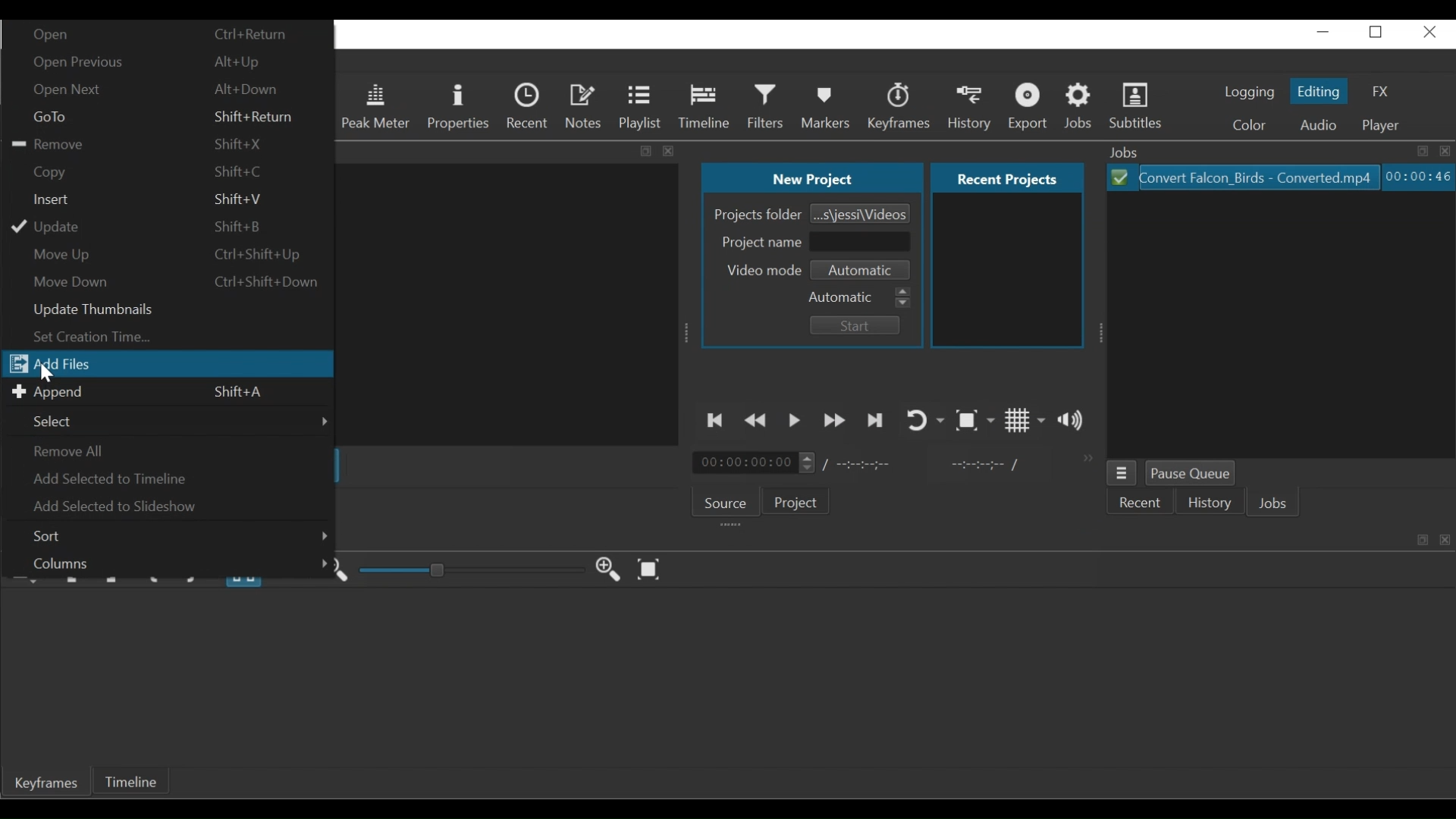  Describe the element at coordinates (1141, 500) in the screenshot. I see `Recent` at that location.